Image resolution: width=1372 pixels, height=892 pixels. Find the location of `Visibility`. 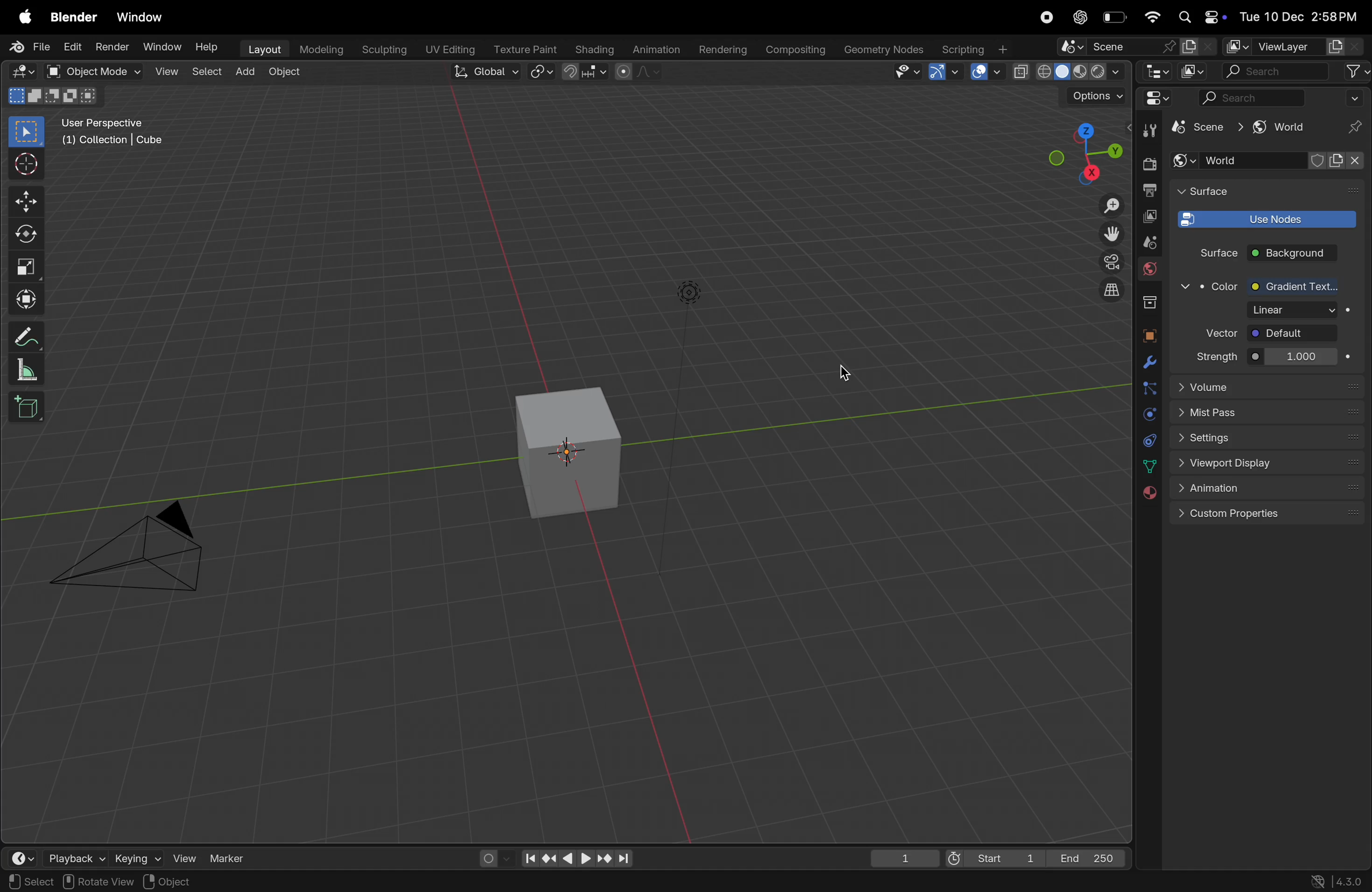

Visibility is located at coordinates (909, 73).